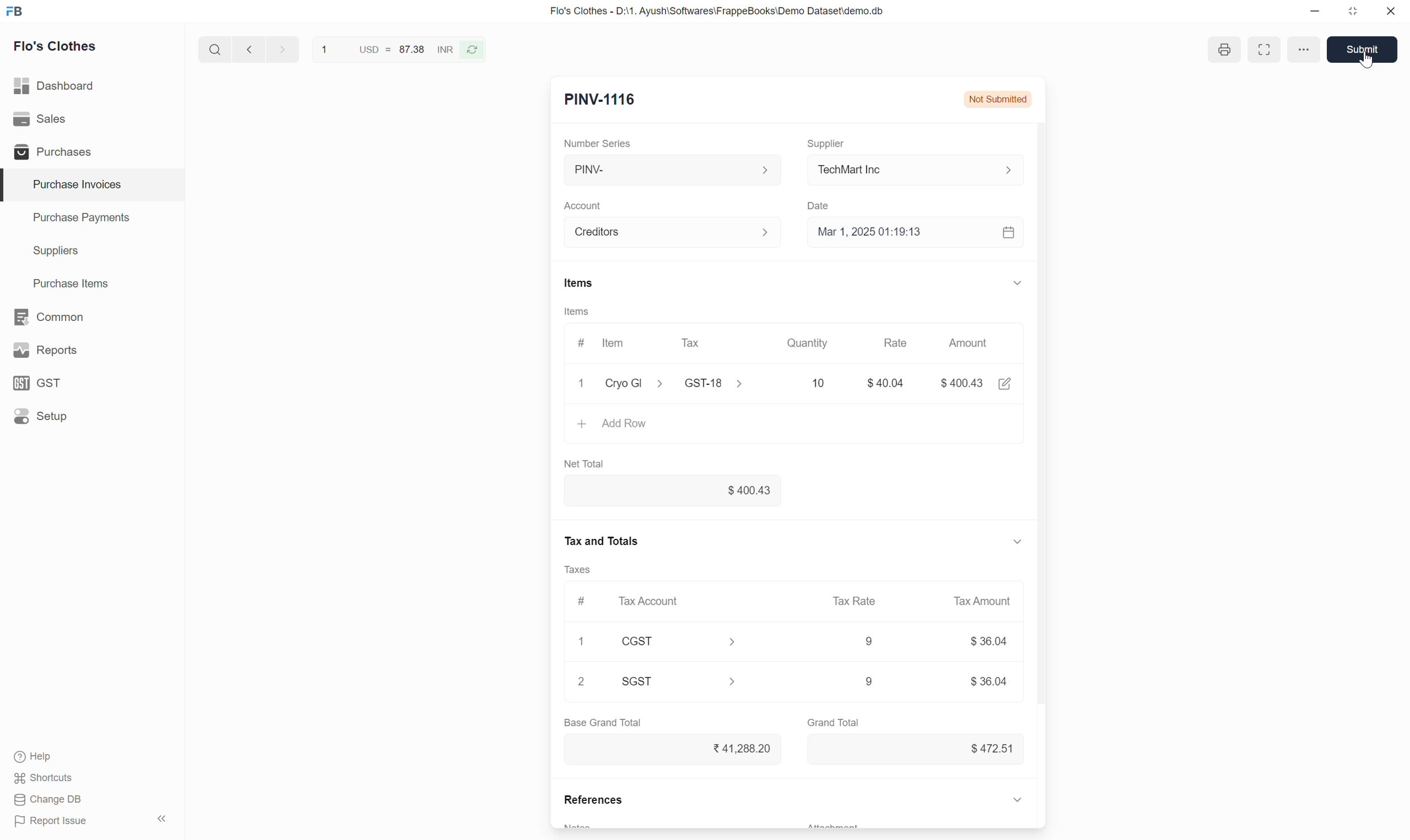 This screenshot has height=840, width=1410. What do you see at coordinates (683, 643) in the screenshot?
I see ` CGST >` at bounding box center [683, 643].